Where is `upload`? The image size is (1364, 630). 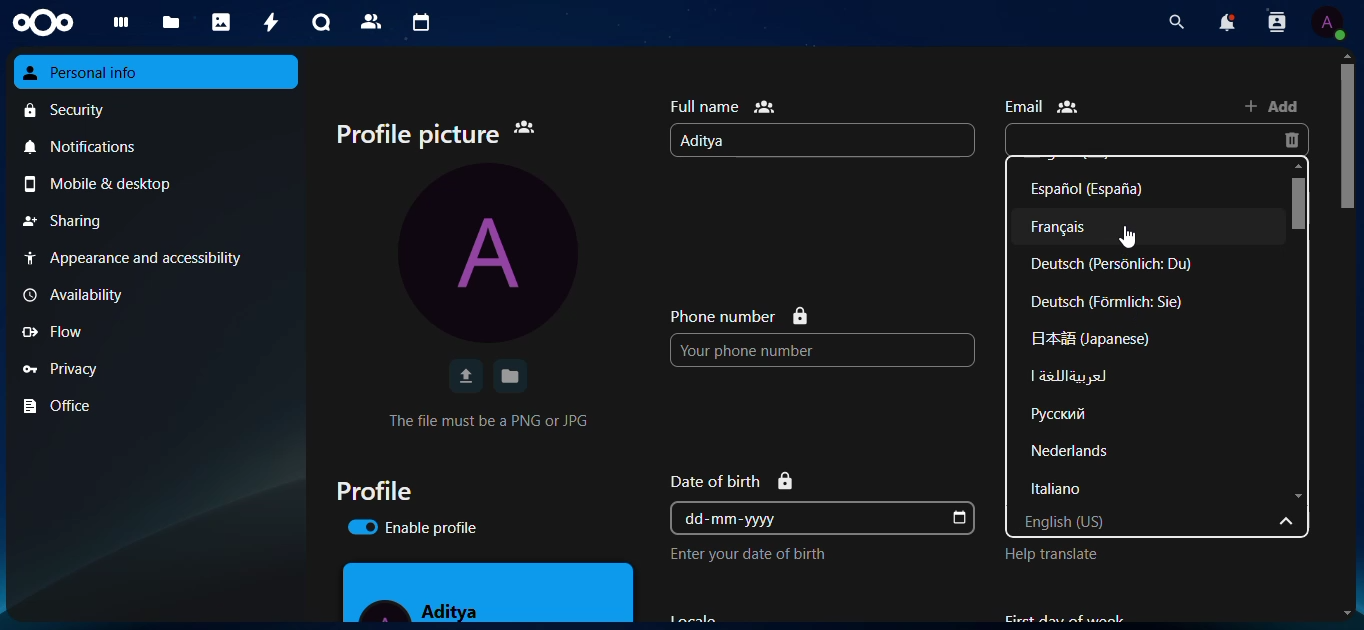
upload is located at coordinates (465, 377).